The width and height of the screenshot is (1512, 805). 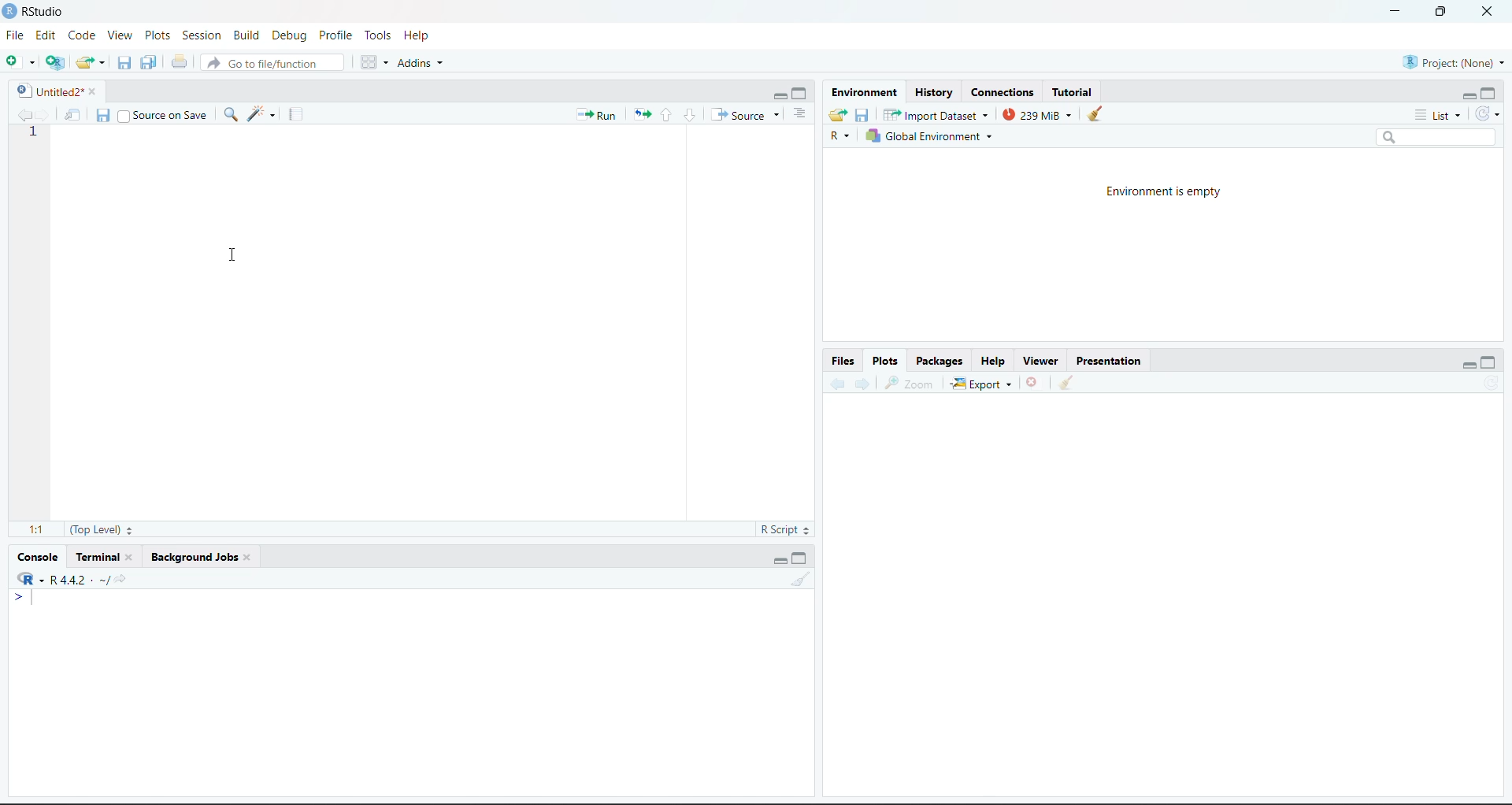 I want to click on Source the contents of the active document, so click(x=747, y=115).